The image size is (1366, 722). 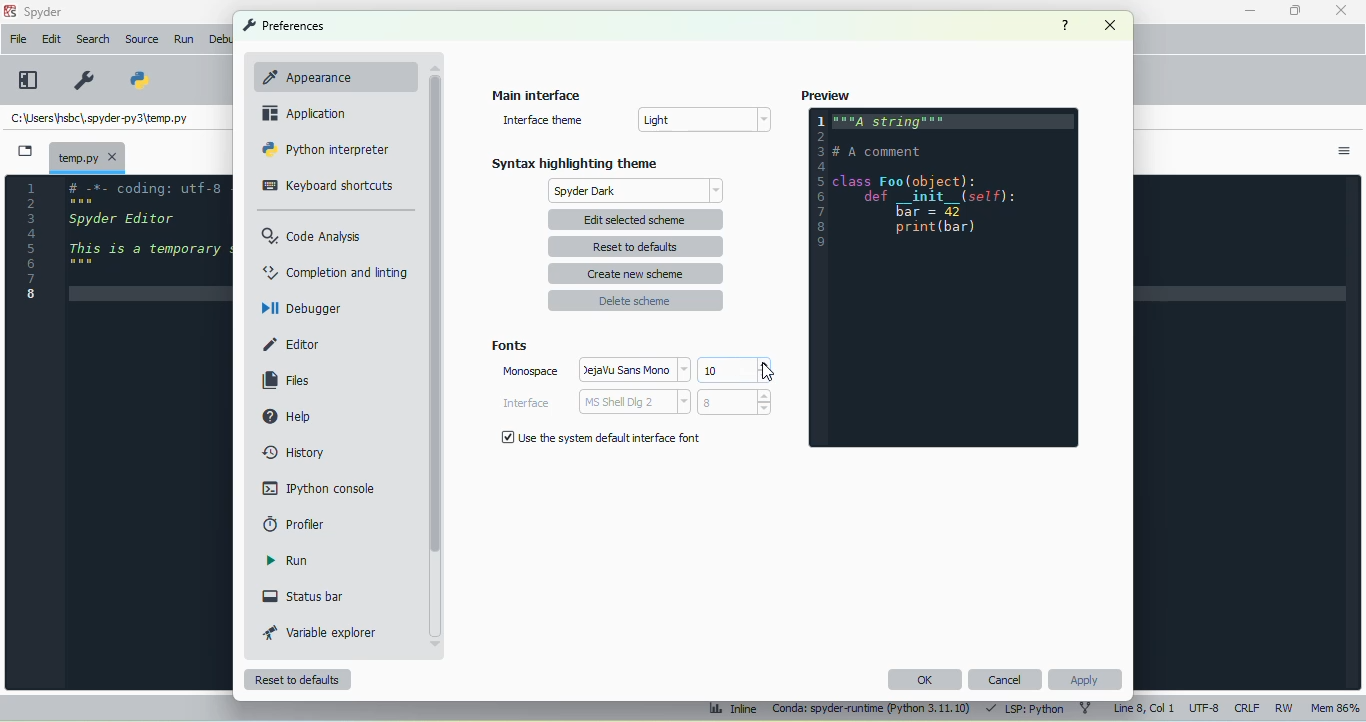 What do you see at coordinates (313, 235) in the screenshot?
I see `code analysis` at bounding box center [313, 235].